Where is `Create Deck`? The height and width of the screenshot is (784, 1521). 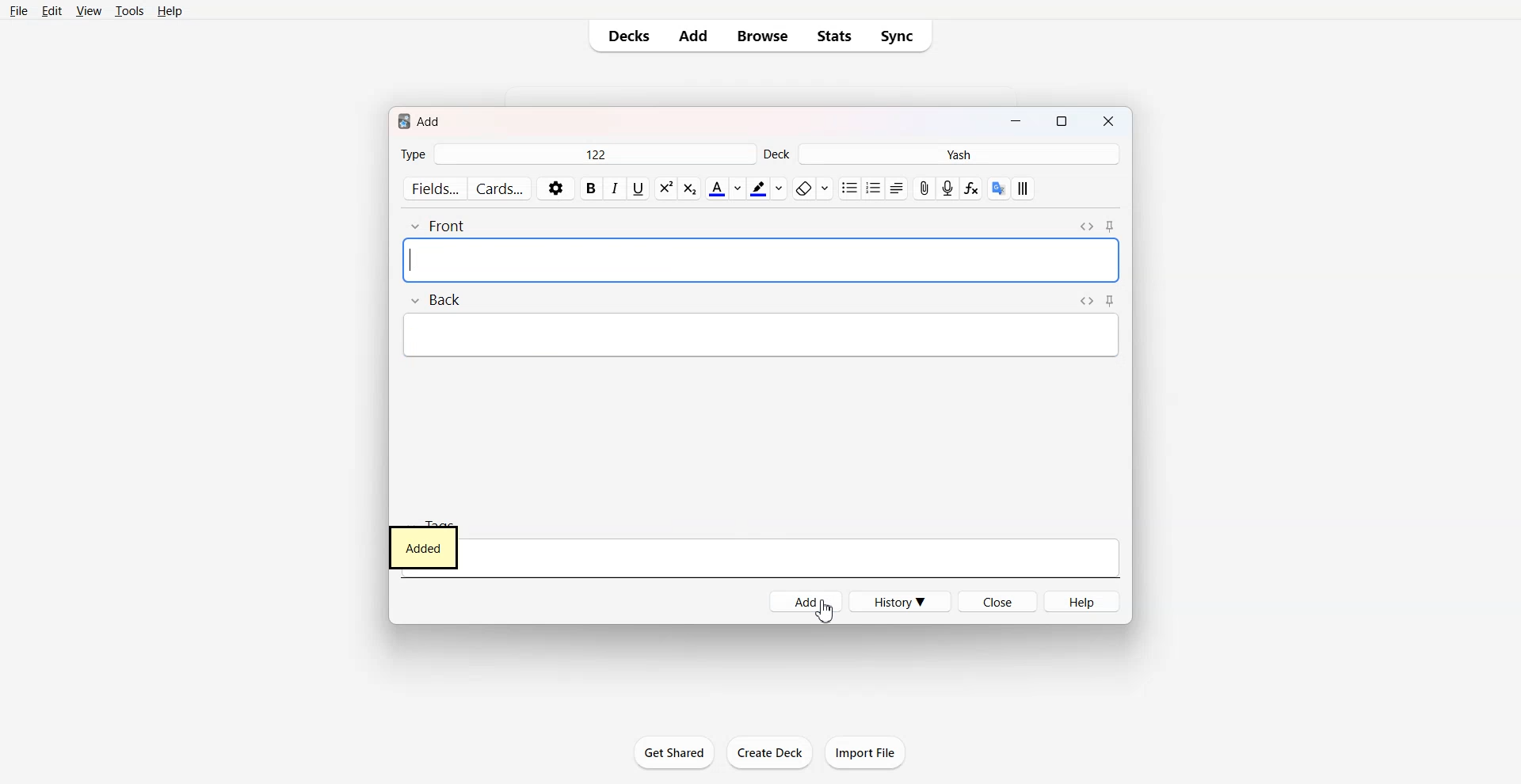 Create Deck is located at coordinates (769, 752).